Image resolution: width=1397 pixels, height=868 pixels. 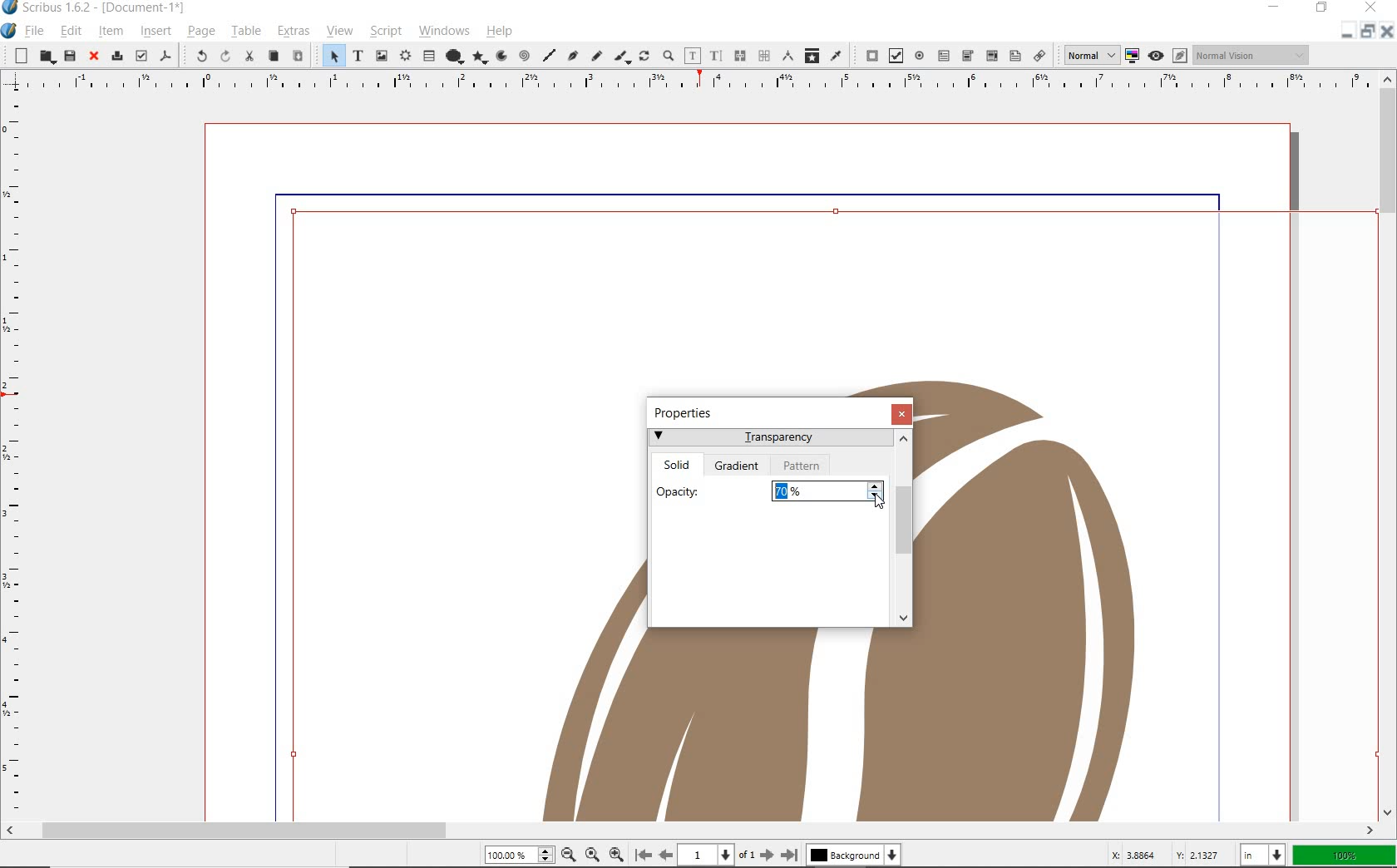 I want to click on pdf check box, so click(x=896, y=56).